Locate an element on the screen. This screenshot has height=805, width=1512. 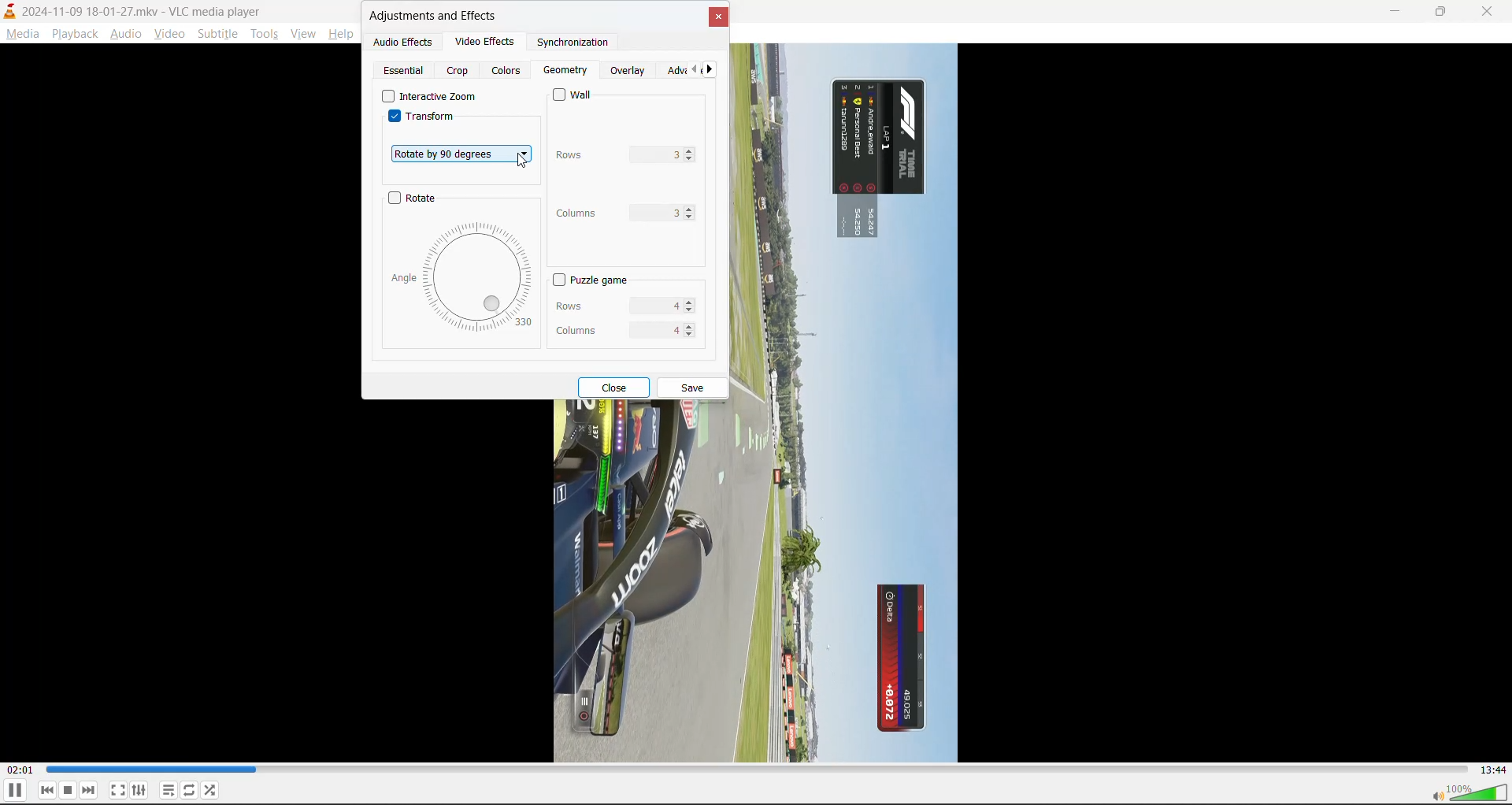
next is located at coordinates (713, 72).